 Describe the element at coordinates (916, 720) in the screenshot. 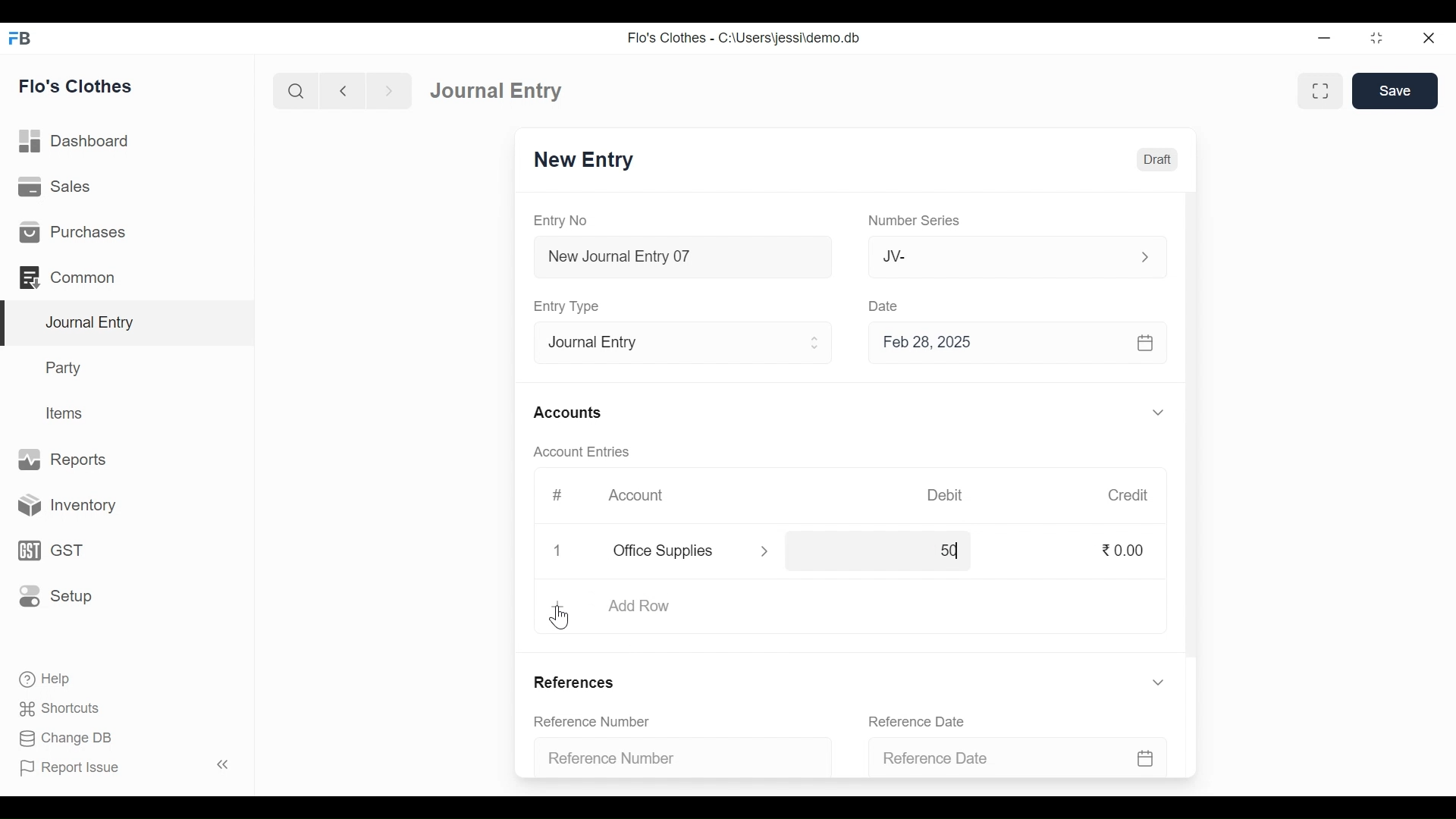

I see `Reference Date` at that location.